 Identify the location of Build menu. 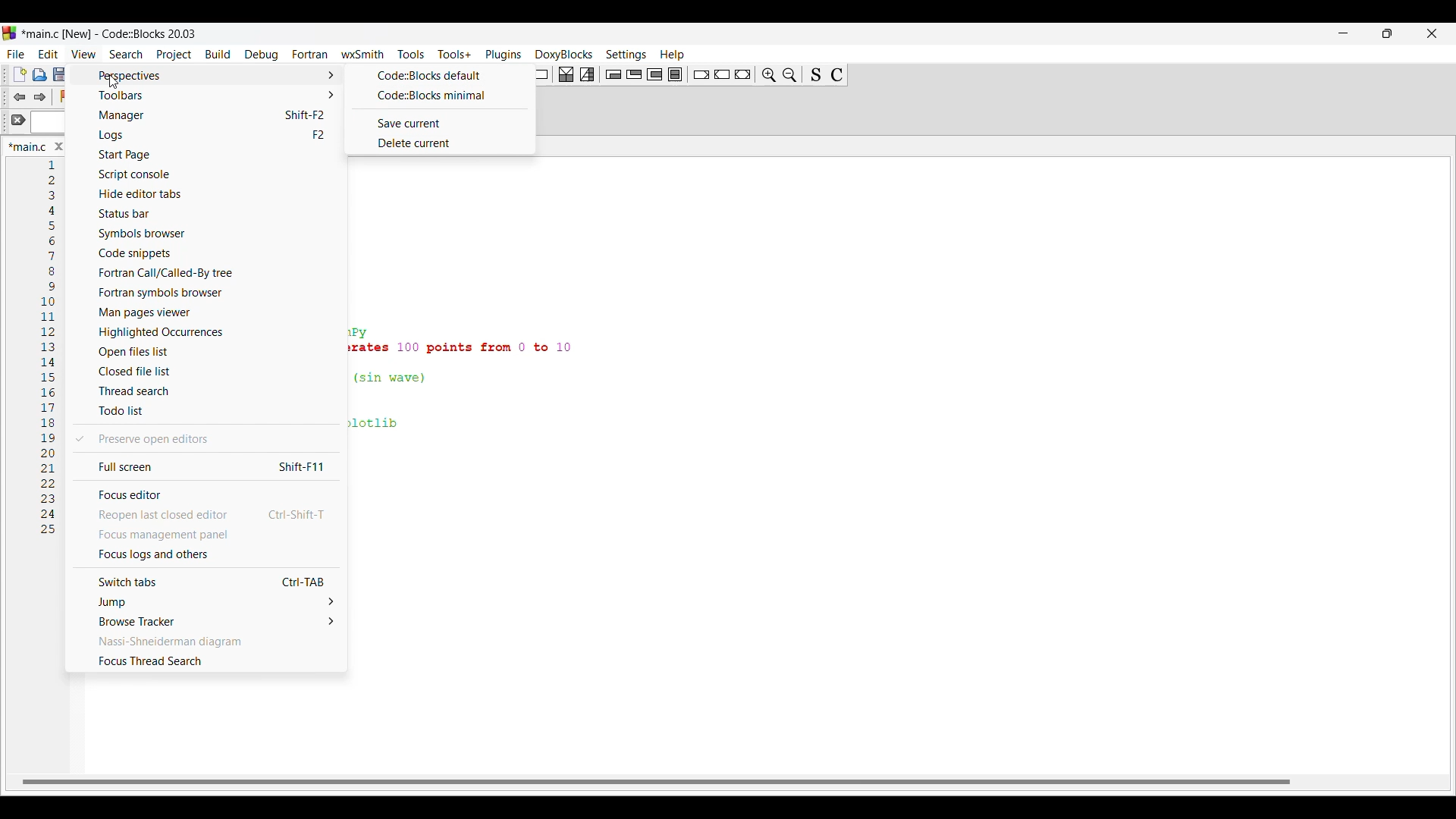
(218, 54).